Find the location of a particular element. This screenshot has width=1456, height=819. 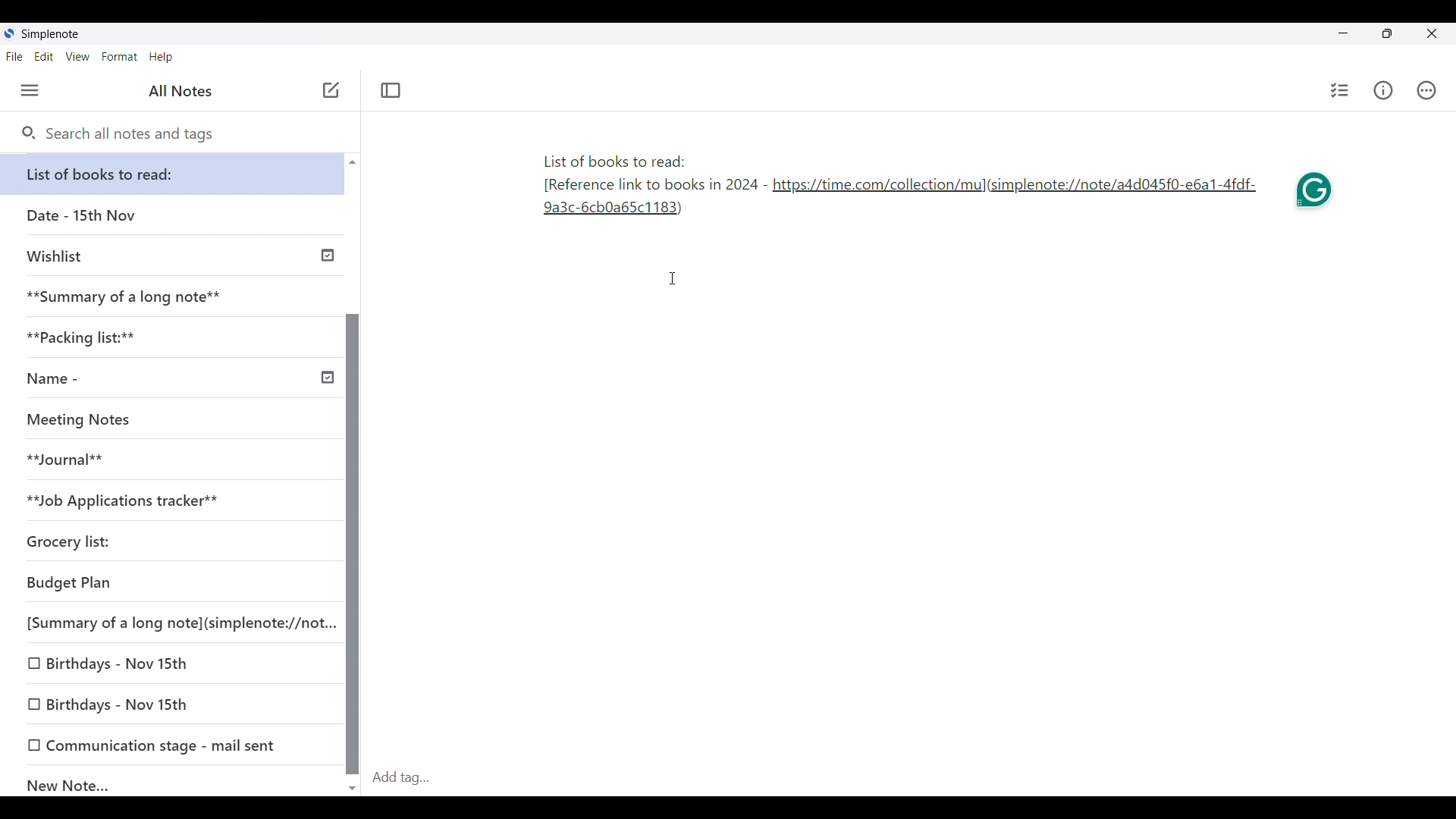

New Note... is located at coordinates (174, 782).